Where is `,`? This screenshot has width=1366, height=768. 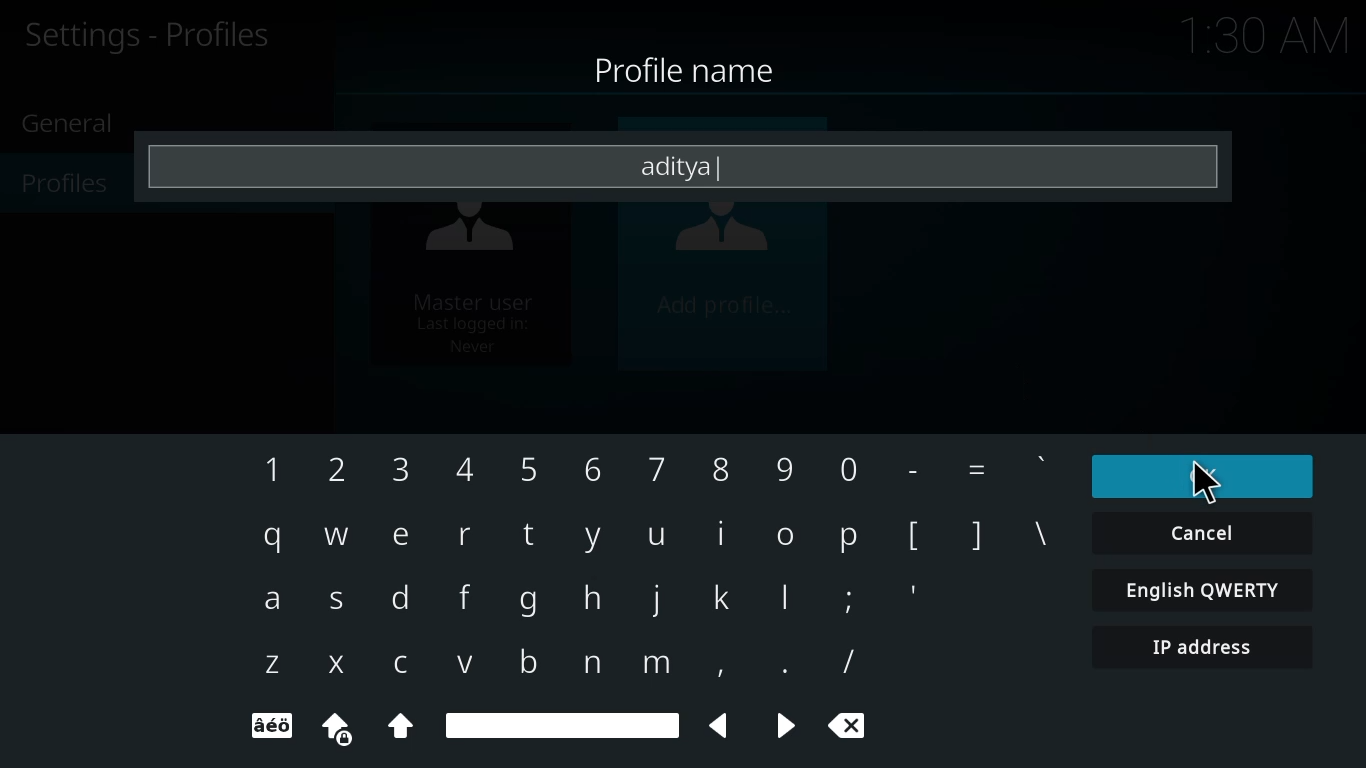 , is located at coordinates (723, 672).